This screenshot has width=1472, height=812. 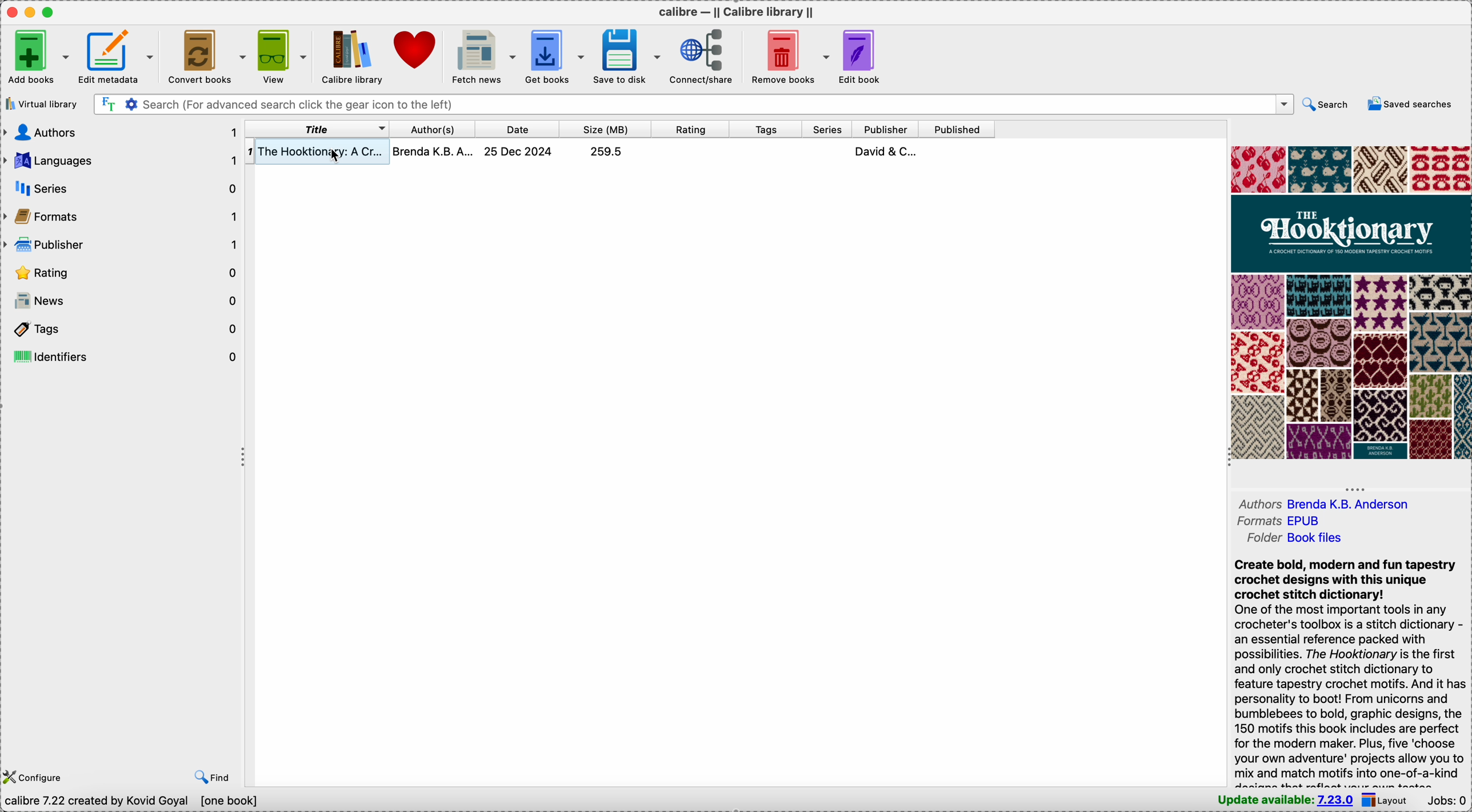 What do you see at coordinates (1282, 802) in the screenshot?
I see `update available` at bounding box center [1282, 802].